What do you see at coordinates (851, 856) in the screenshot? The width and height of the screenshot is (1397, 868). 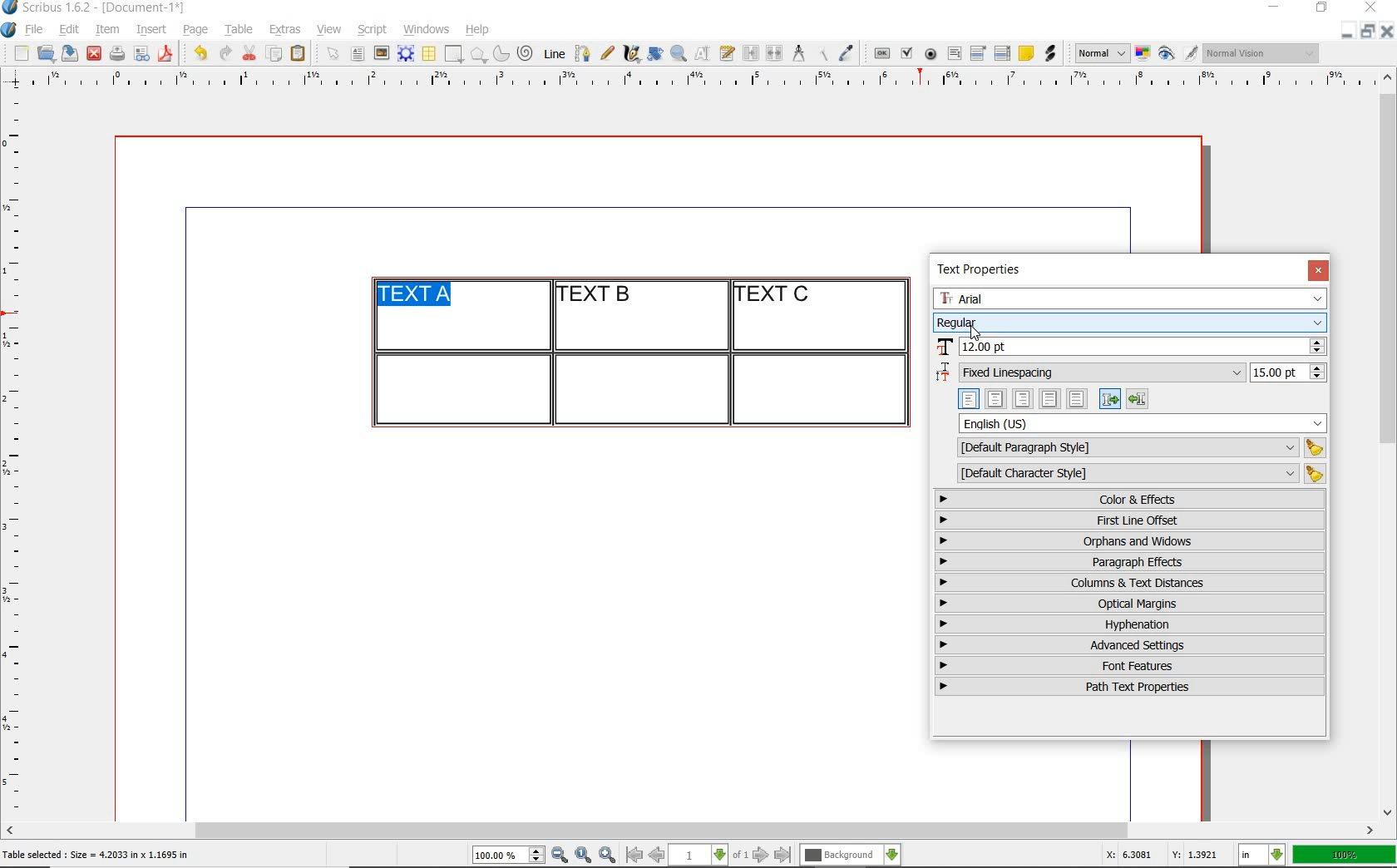 I see `select the current layer` at bounding box center [851, 856].